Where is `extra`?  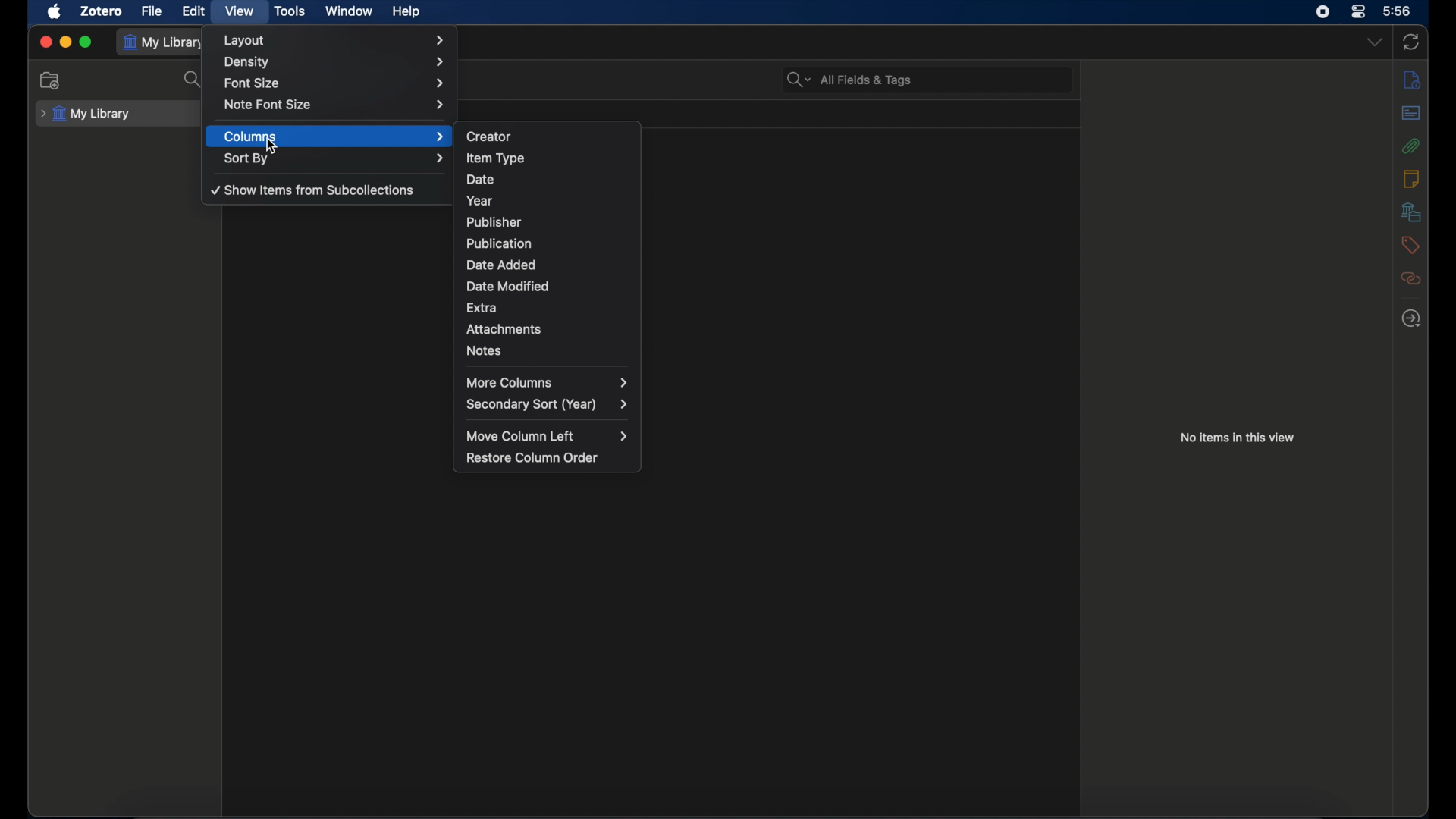
extra is located at coordinates (549, 306).